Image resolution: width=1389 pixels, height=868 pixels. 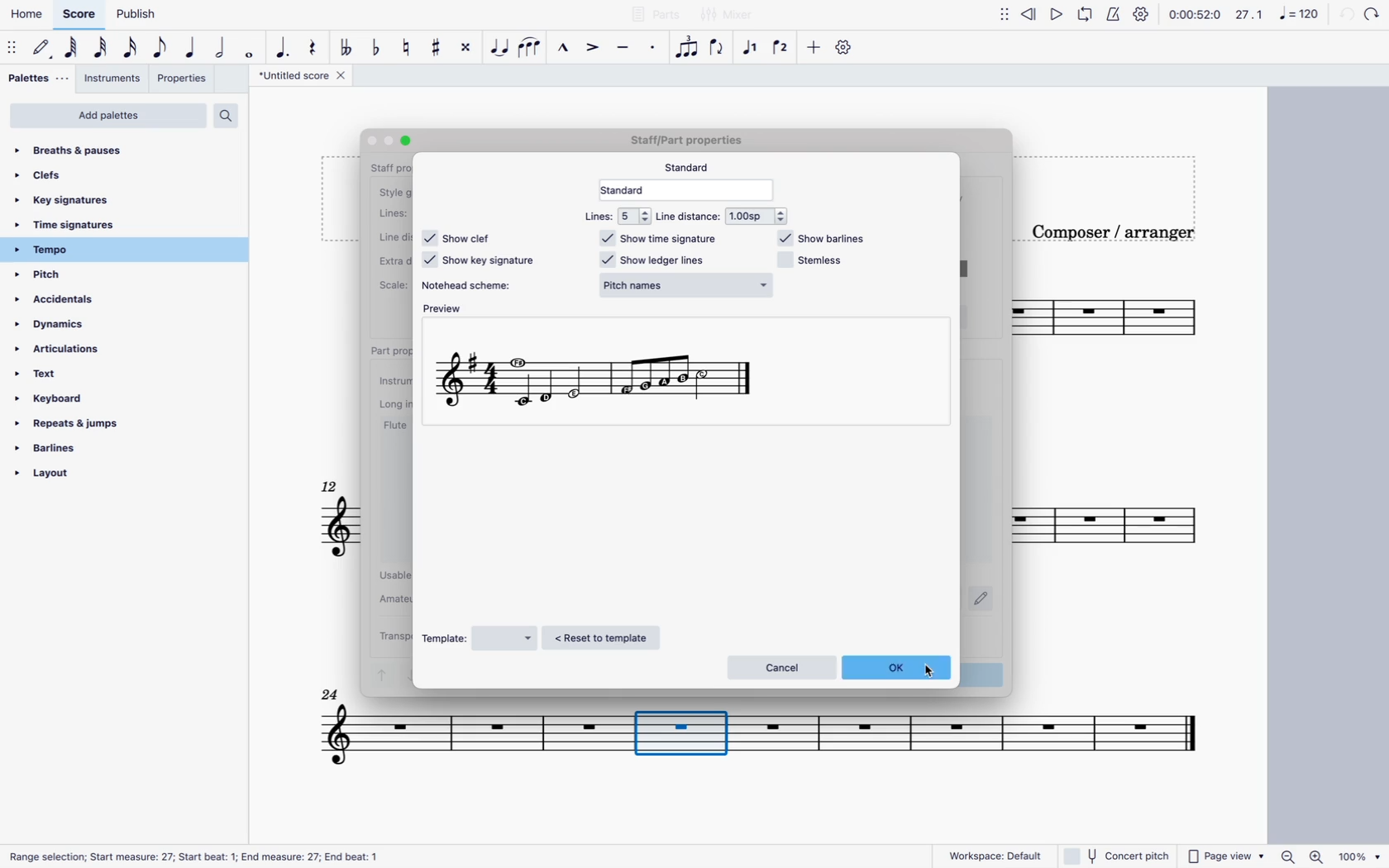 I want to click on cursor on pitch names, so click(x=760, y=289).